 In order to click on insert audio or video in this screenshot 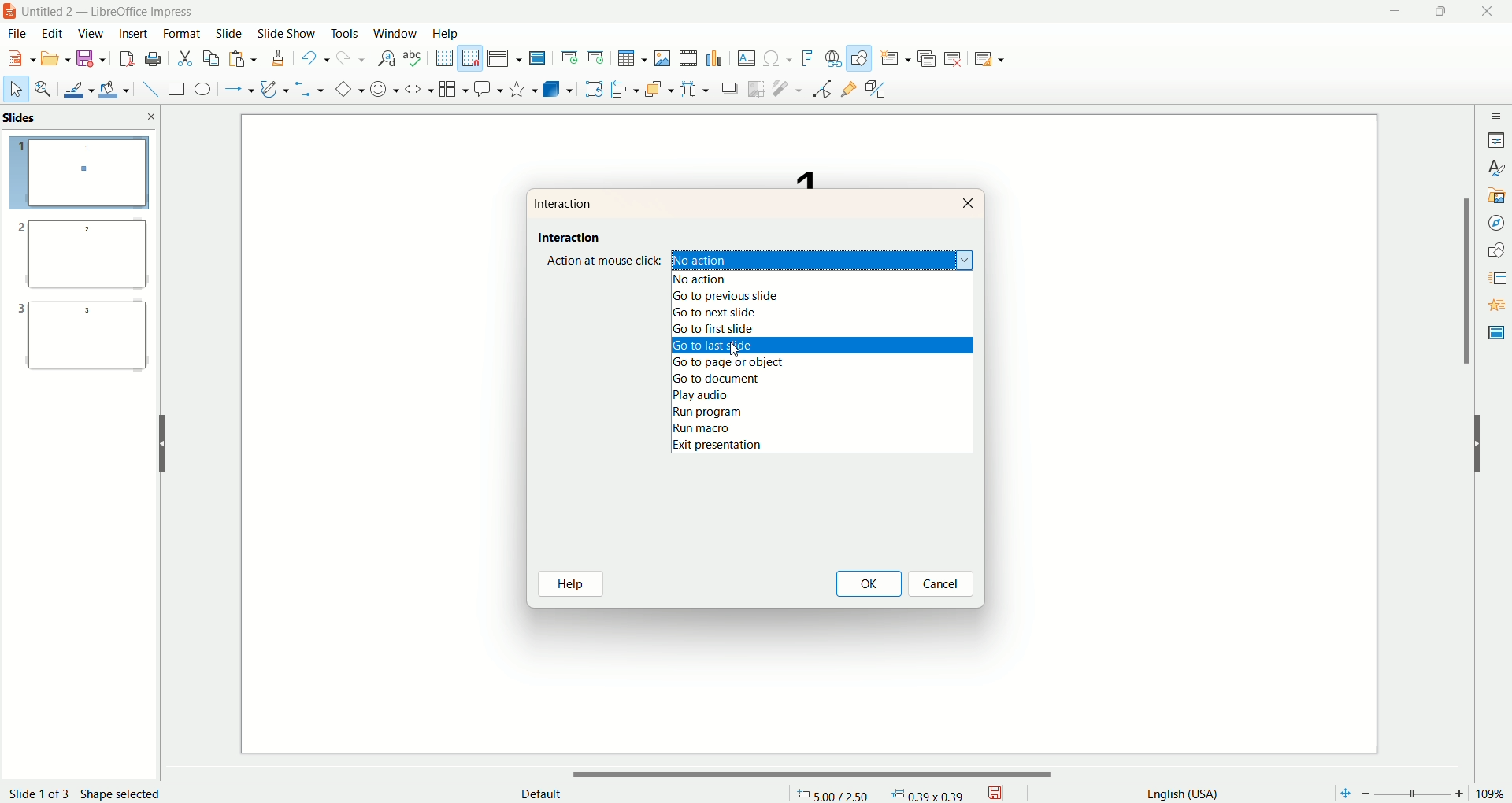, I will do `click(688, 58)`.